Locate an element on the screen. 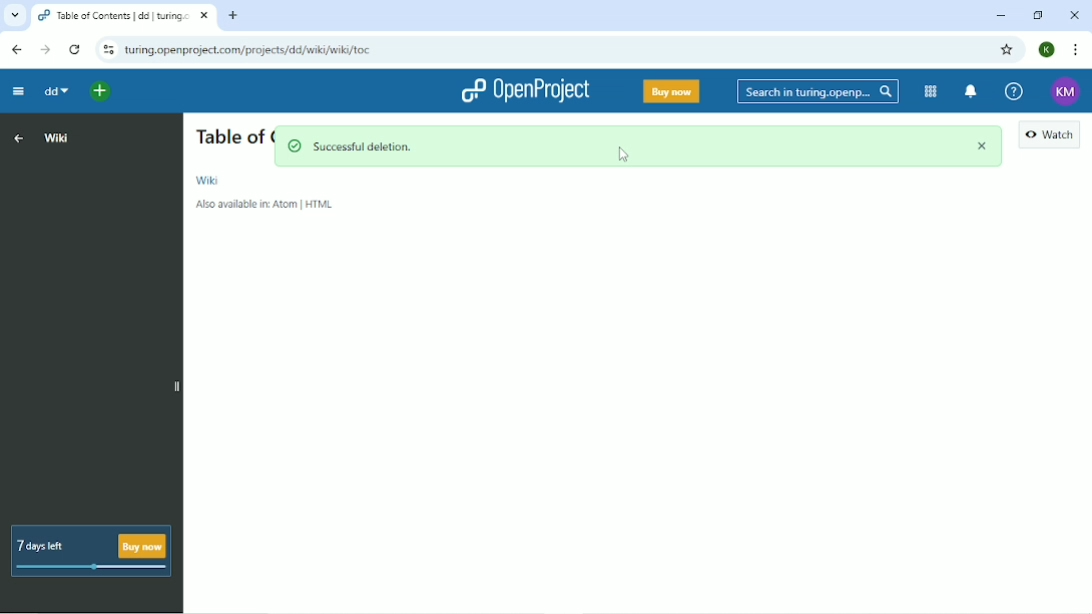 This screenshot has height=614, width=1092. meter is located at coordinates (87, 568).